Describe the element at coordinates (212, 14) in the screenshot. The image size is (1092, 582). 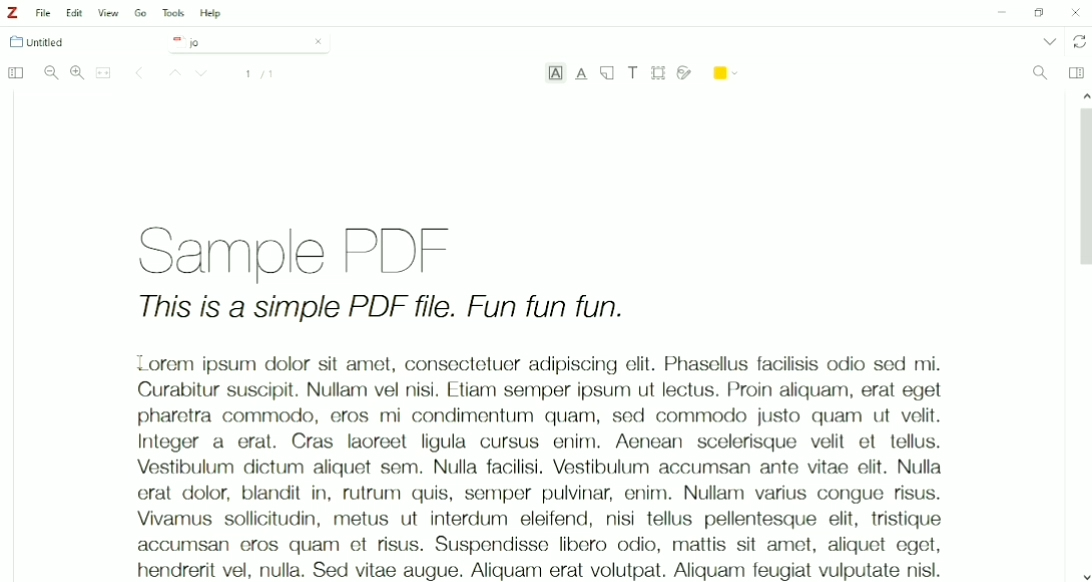
I see `Help` at that location.